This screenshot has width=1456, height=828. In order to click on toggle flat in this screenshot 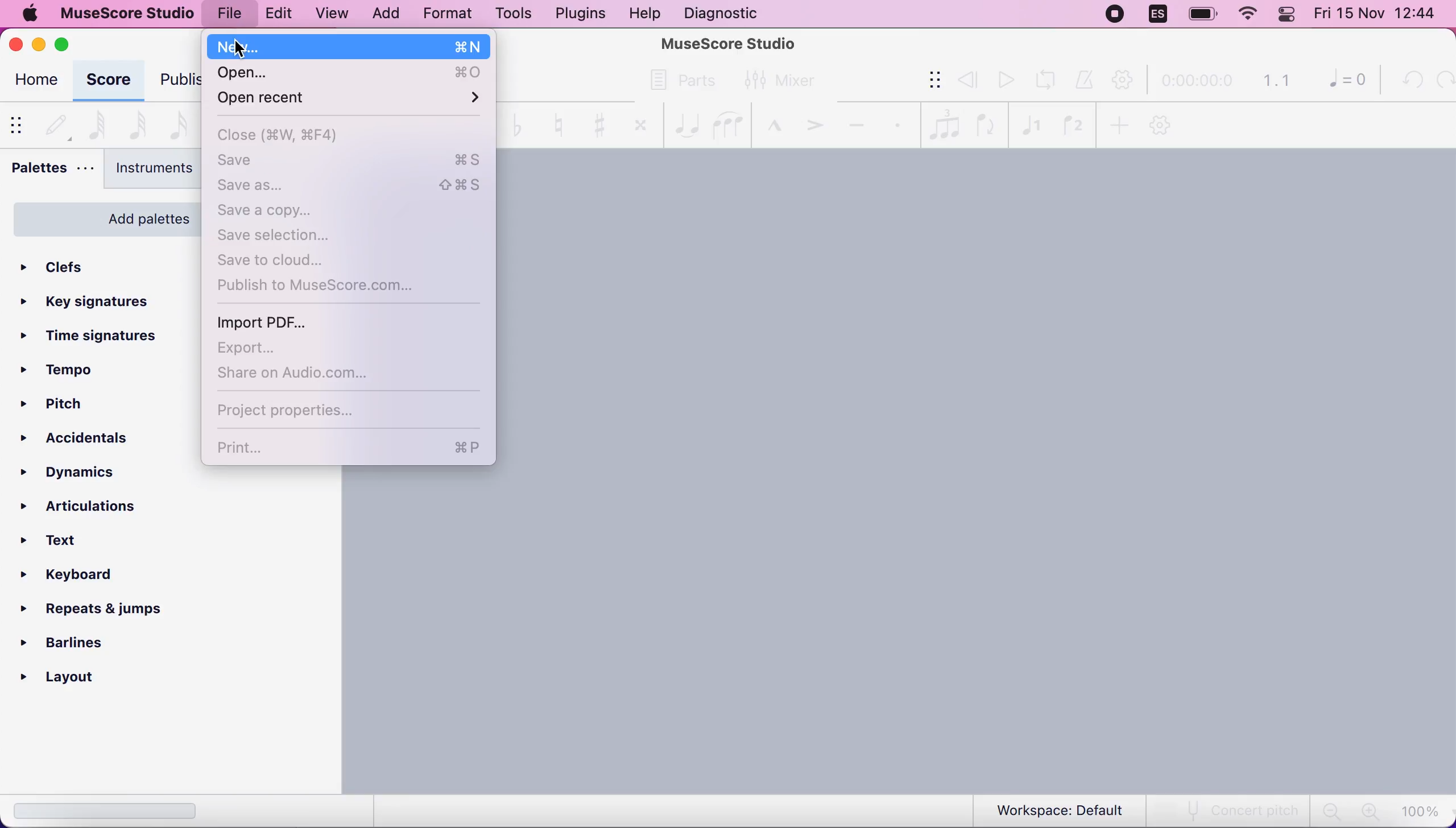, I will do `click(513, 123)`.